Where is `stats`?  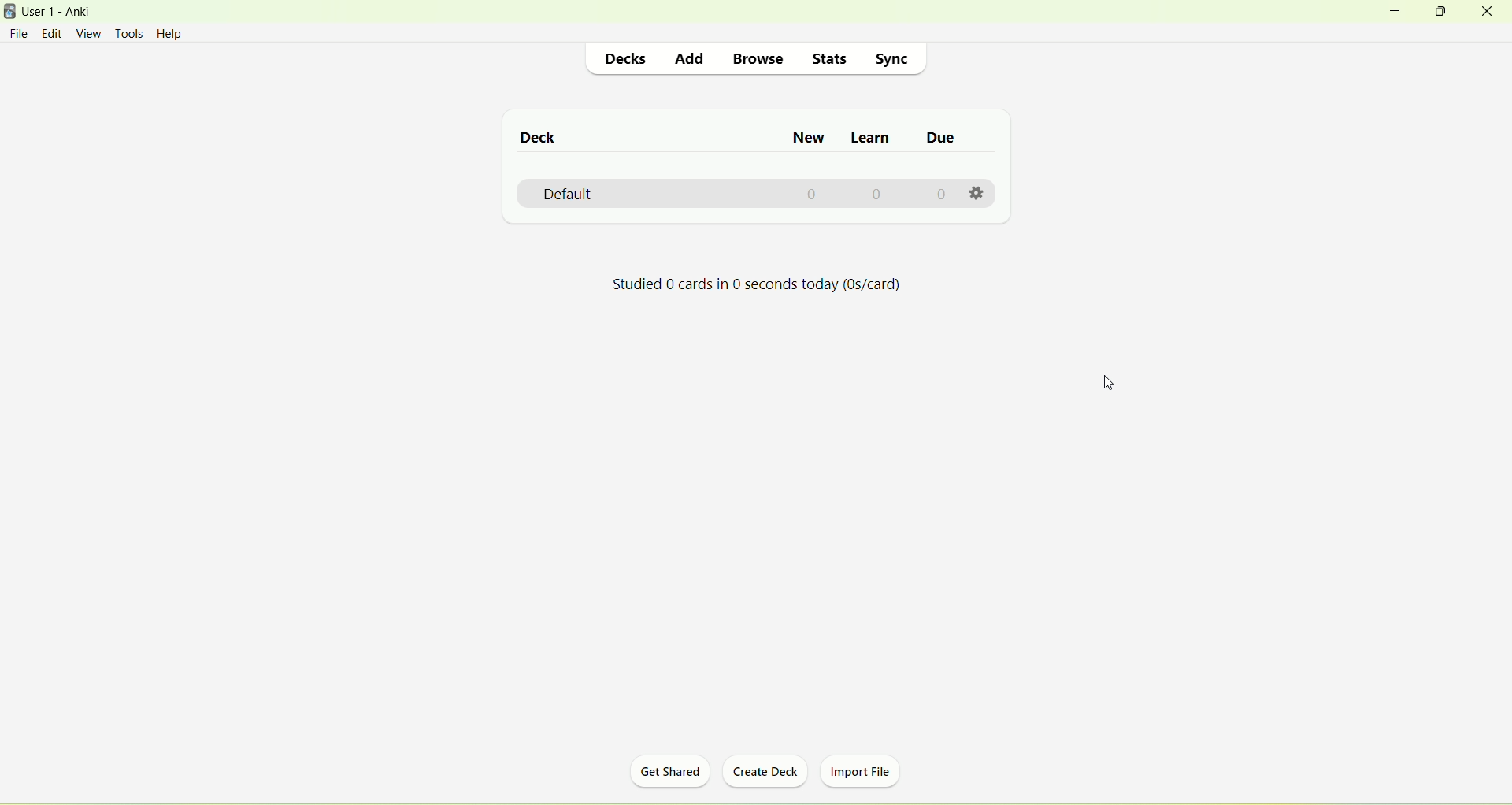 stats is located at coordinates (823, 61).